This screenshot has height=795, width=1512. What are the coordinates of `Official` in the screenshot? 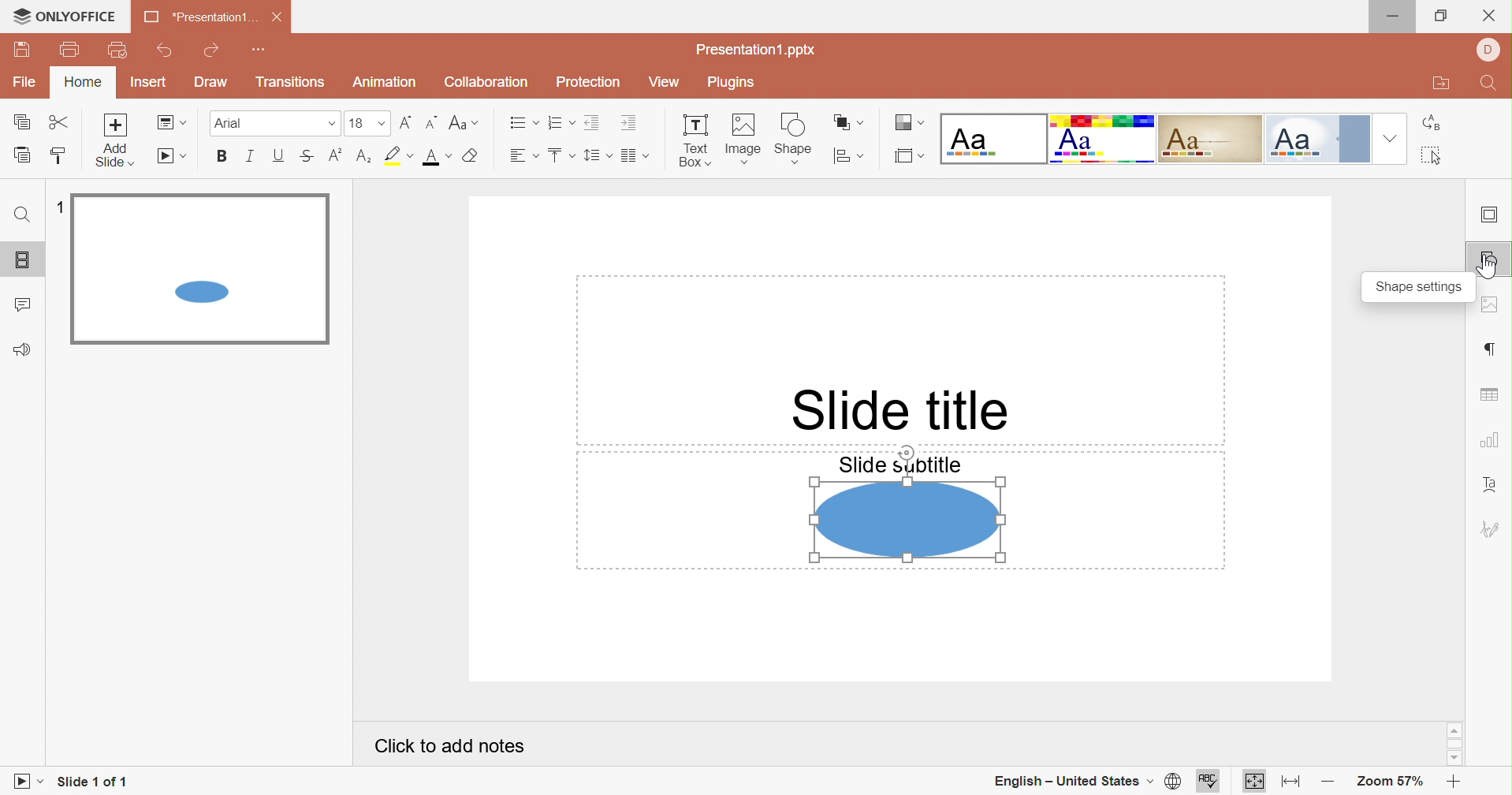 It's located at (1321, 140).